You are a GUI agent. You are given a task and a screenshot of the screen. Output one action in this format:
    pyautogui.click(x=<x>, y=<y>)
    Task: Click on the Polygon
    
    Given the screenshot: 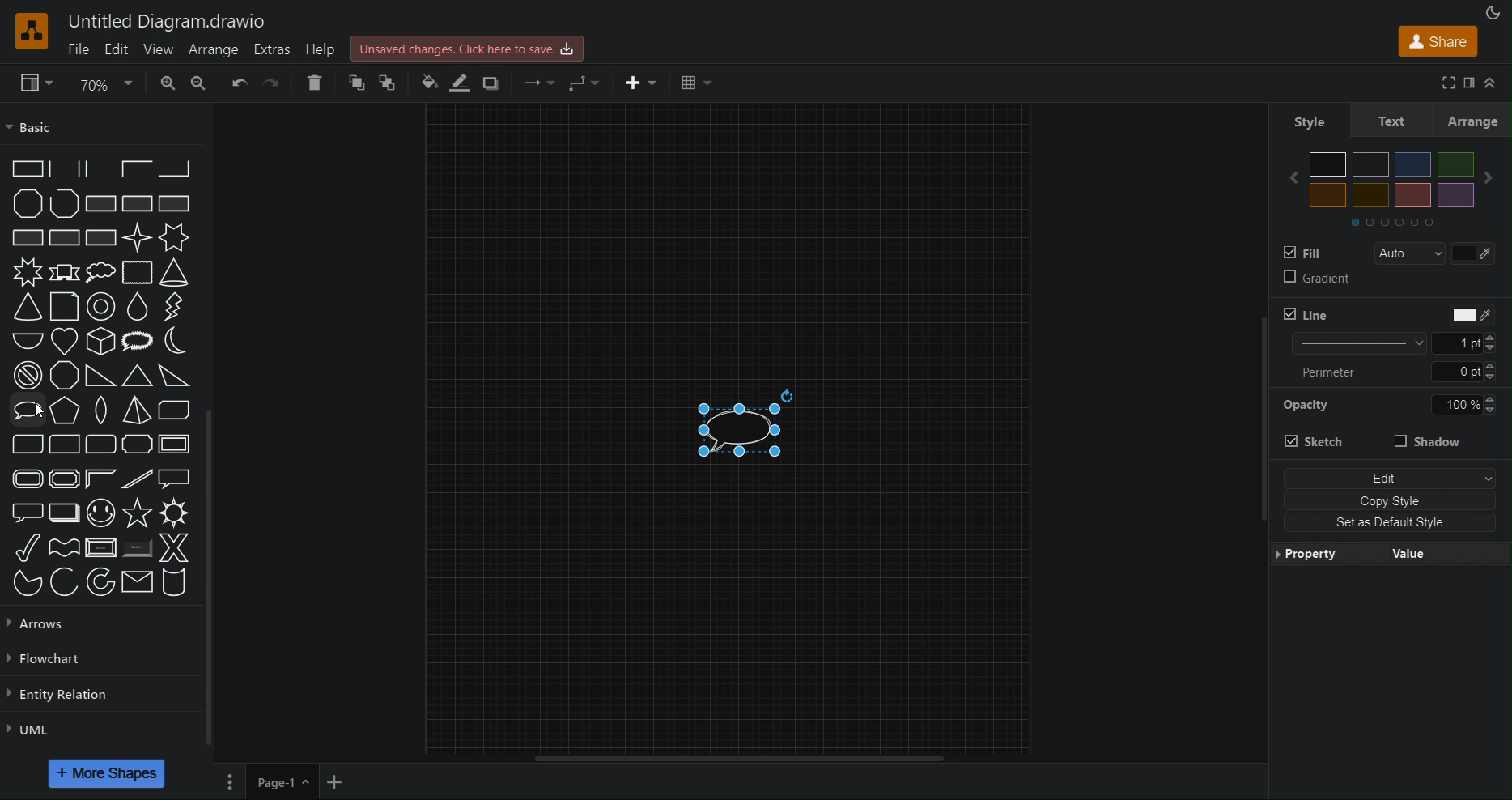 What is the action you would take?
    pyautogui.click(x=25, y=202)
    